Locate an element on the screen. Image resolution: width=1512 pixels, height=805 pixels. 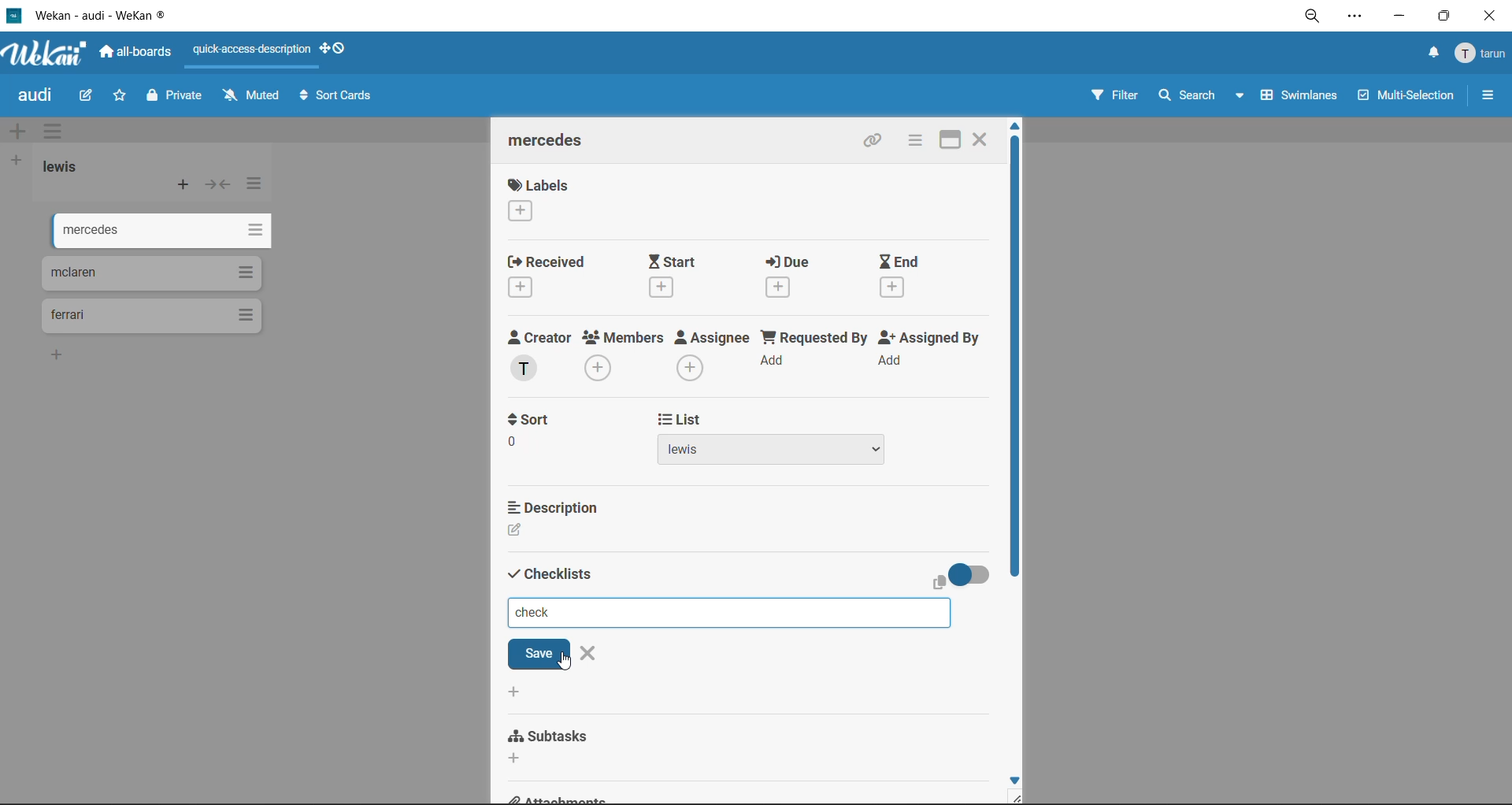
notifications is located at coordinates (1429, 53).